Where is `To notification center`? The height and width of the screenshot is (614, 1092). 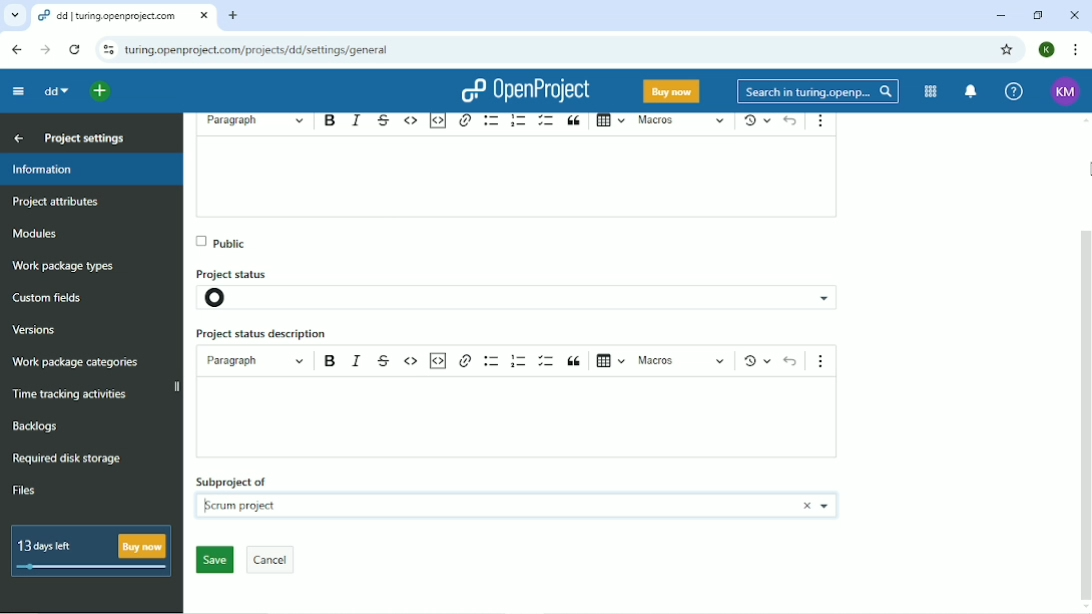
To notification center is located at coordinates (971, 92).